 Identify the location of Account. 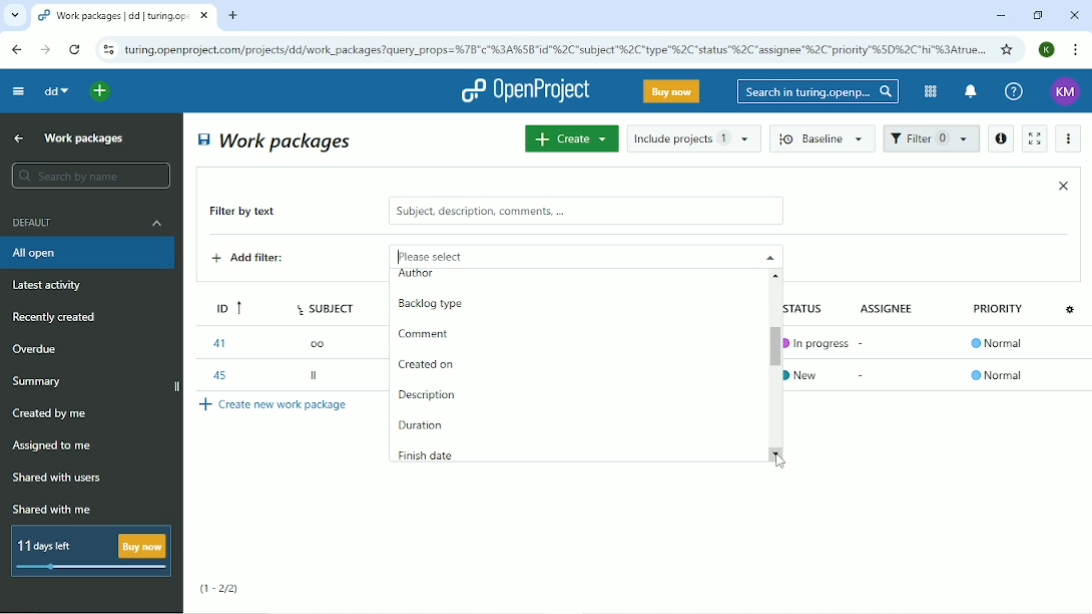
(1048, 49).